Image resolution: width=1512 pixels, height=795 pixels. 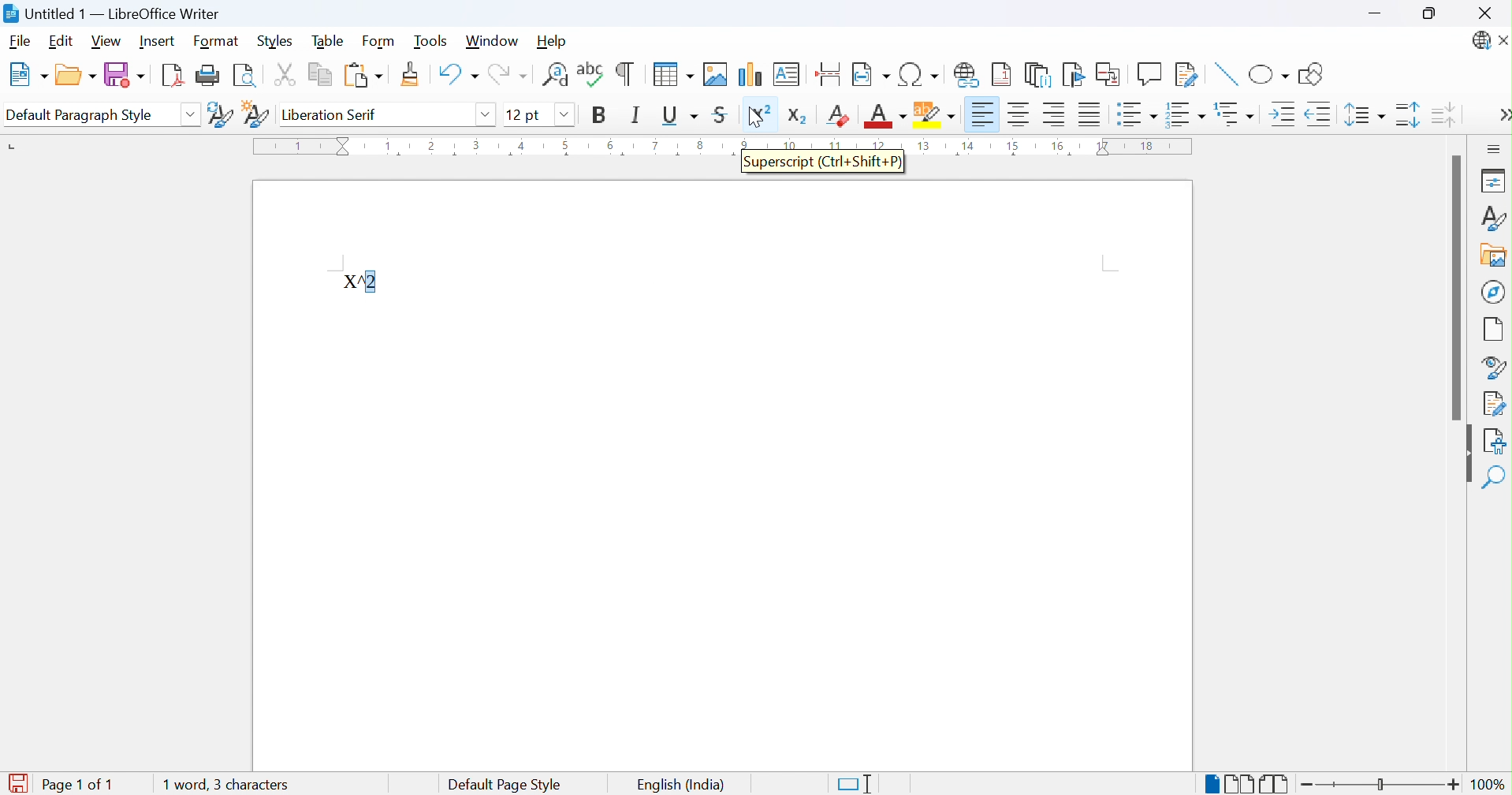 I want to click on Styles, so click(x=1495, y=219).